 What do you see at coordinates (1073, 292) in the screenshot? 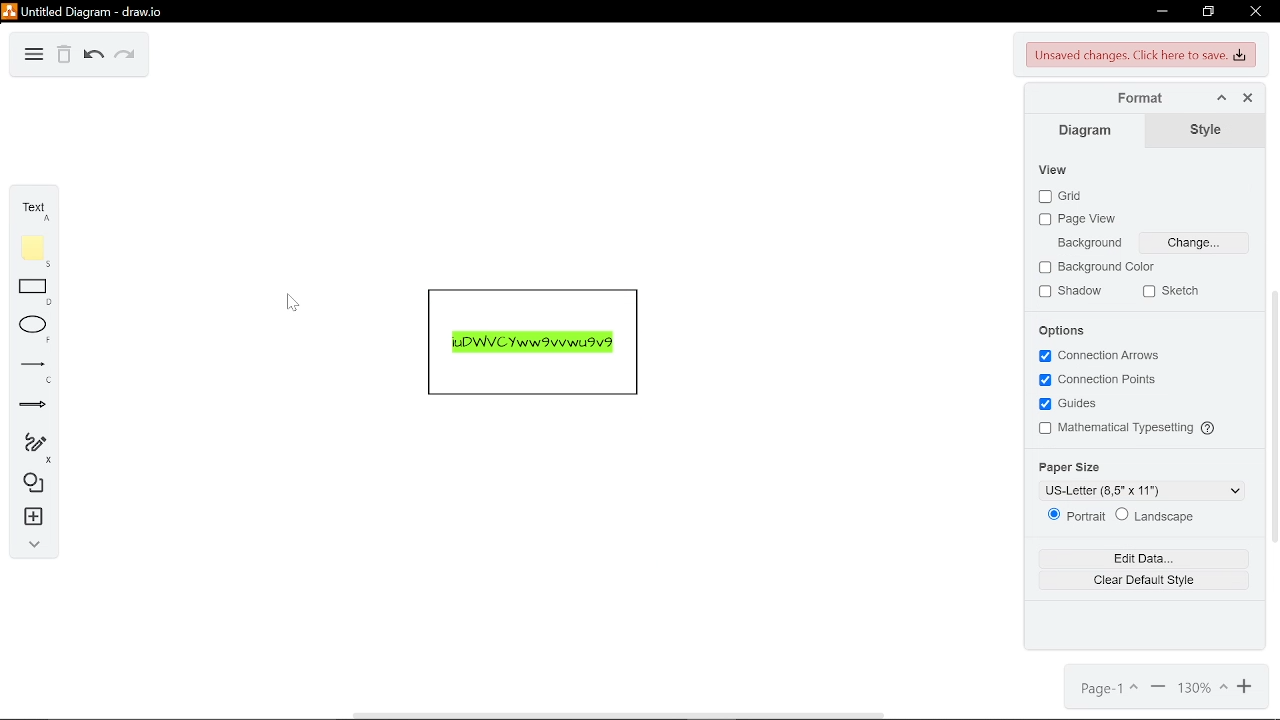
I see `shadow` at bounding box center [1073, 292].